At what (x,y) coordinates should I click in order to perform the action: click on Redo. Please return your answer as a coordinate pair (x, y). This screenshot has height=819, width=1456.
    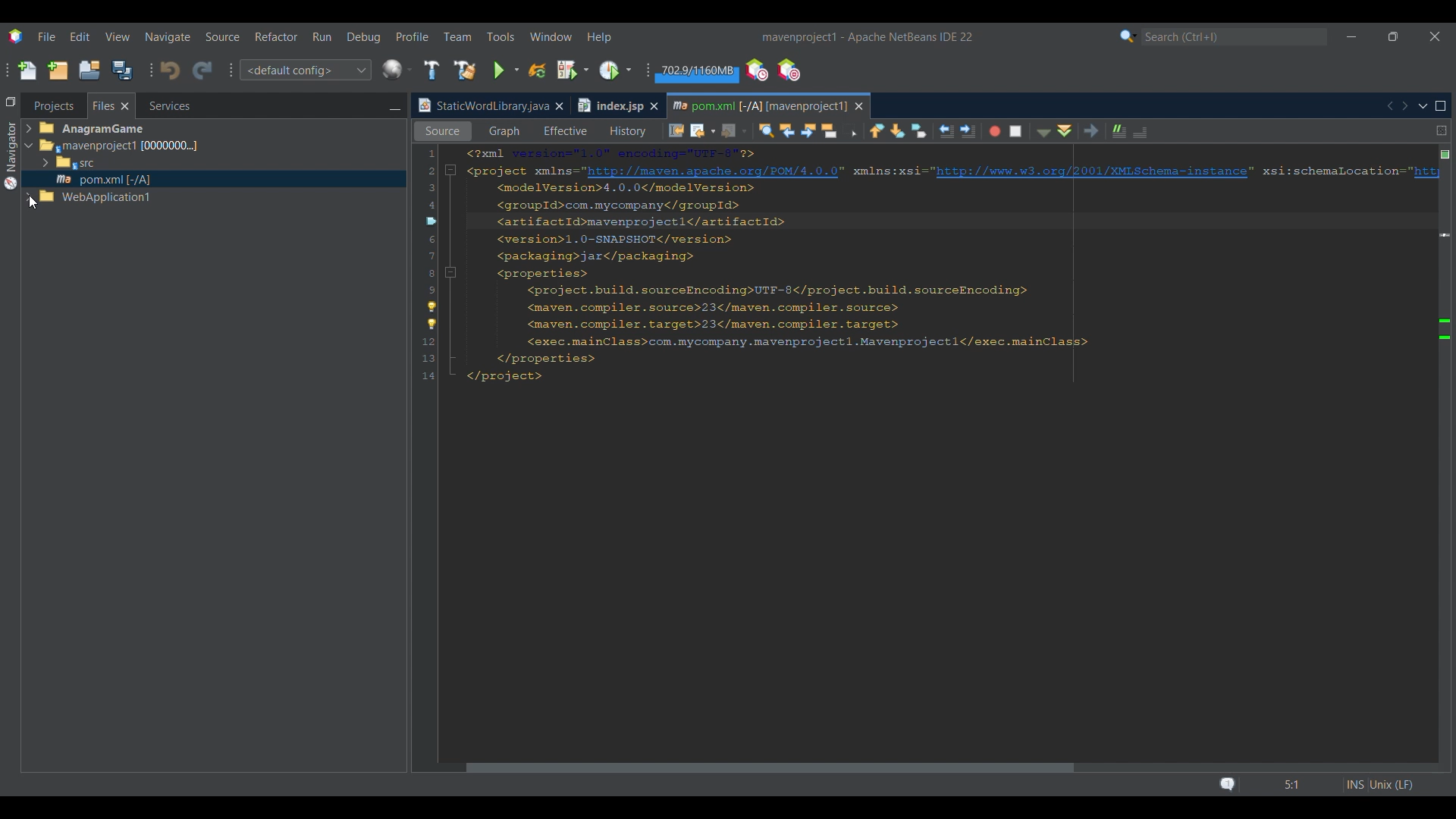
    Looking at the image, I should click on (202, 71).